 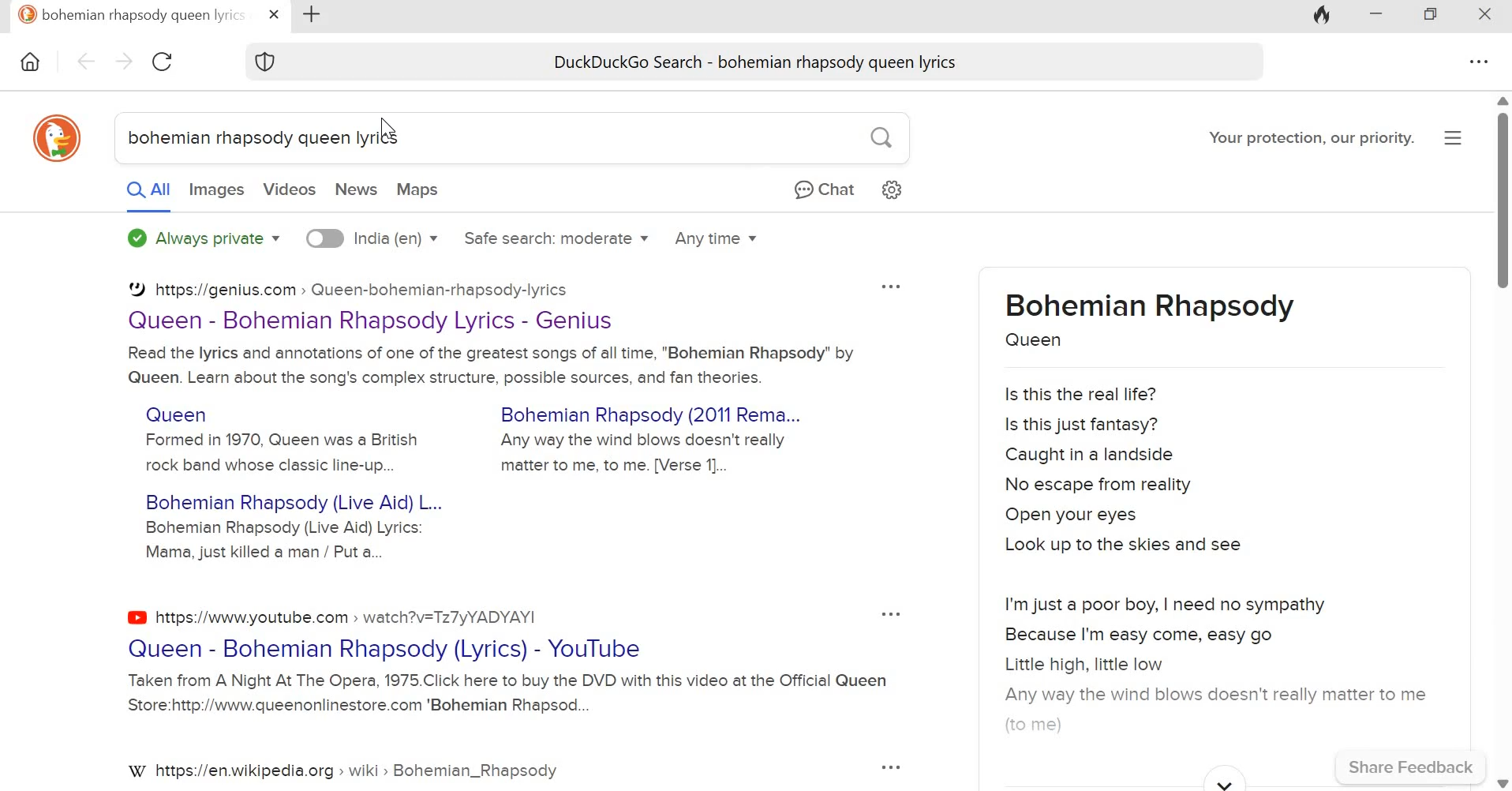 I want to click on Settings, so click(x=892, y=192).